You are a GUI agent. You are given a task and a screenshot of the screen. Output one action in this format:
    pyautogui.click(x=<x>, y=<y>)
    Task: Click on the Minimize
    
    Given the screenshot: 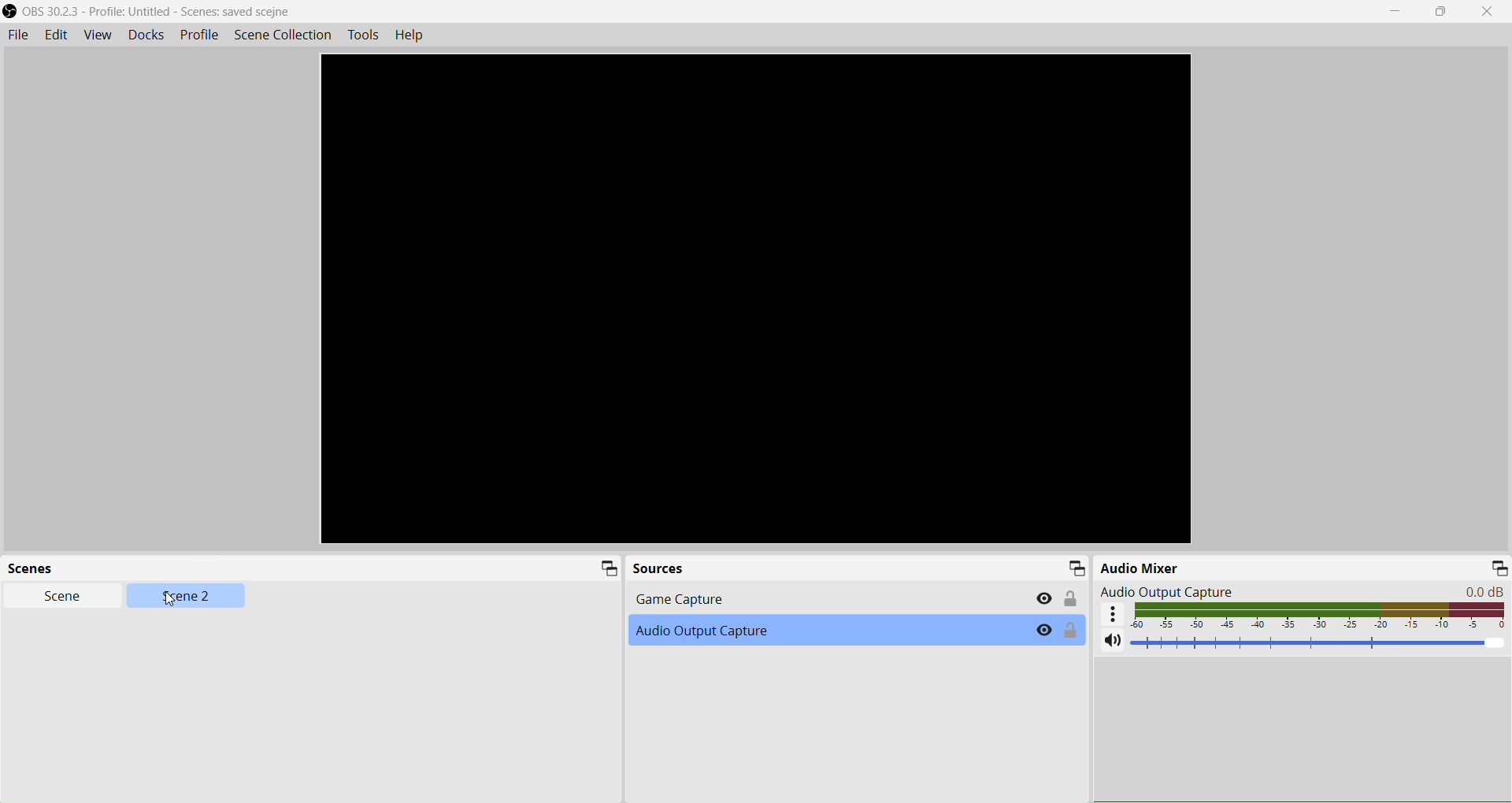 What is the action you would take?
    pyautogui.click(x=610, y=568)
    